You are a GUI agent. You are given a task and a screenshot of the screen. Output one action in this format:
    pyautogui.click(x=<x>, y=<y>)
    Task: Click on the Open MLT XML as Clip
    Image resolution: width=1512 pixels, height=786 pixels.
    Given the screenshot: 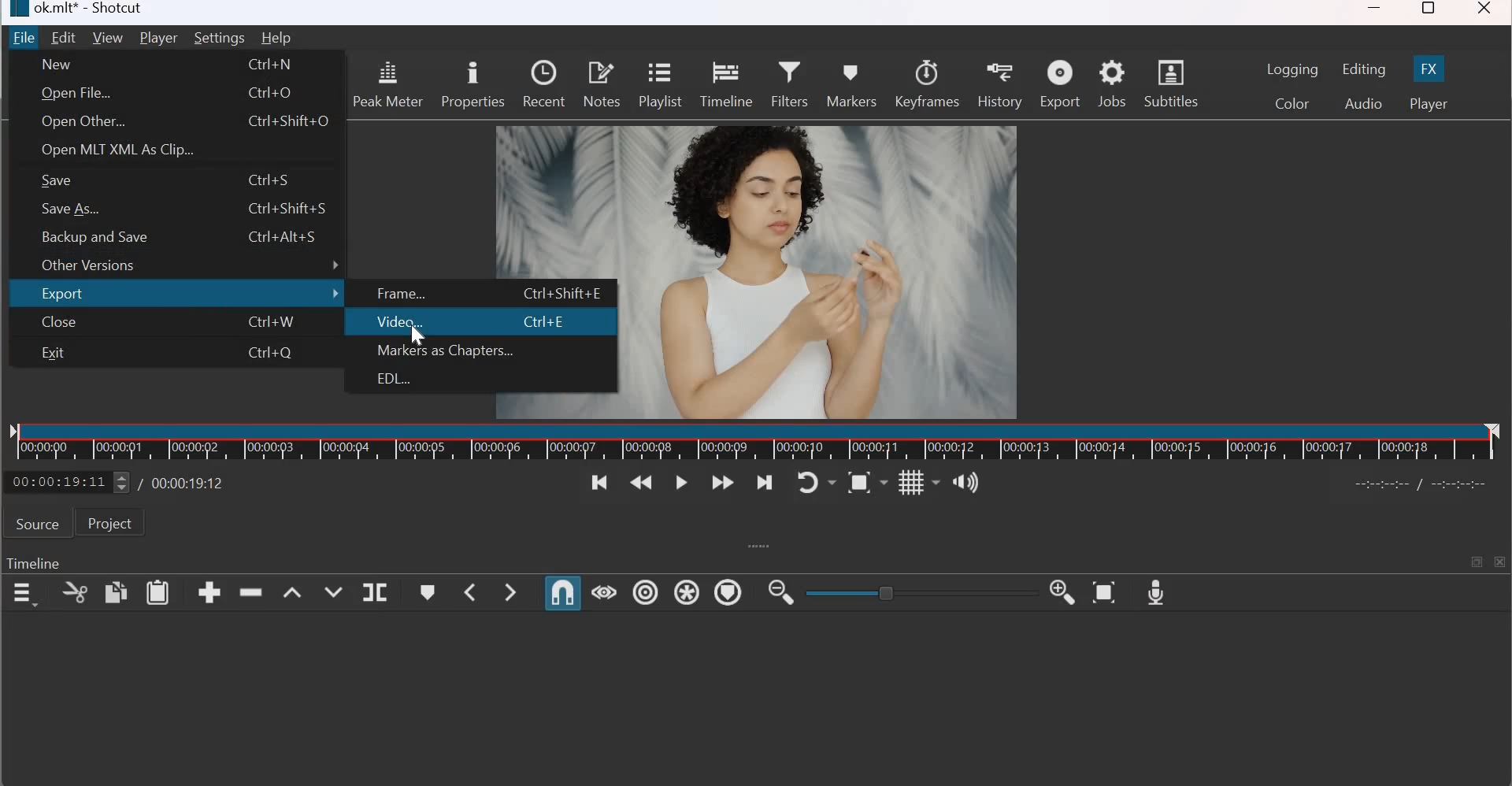 What is the action you would take?
    pyautogui.click(x=120, y=148)
    